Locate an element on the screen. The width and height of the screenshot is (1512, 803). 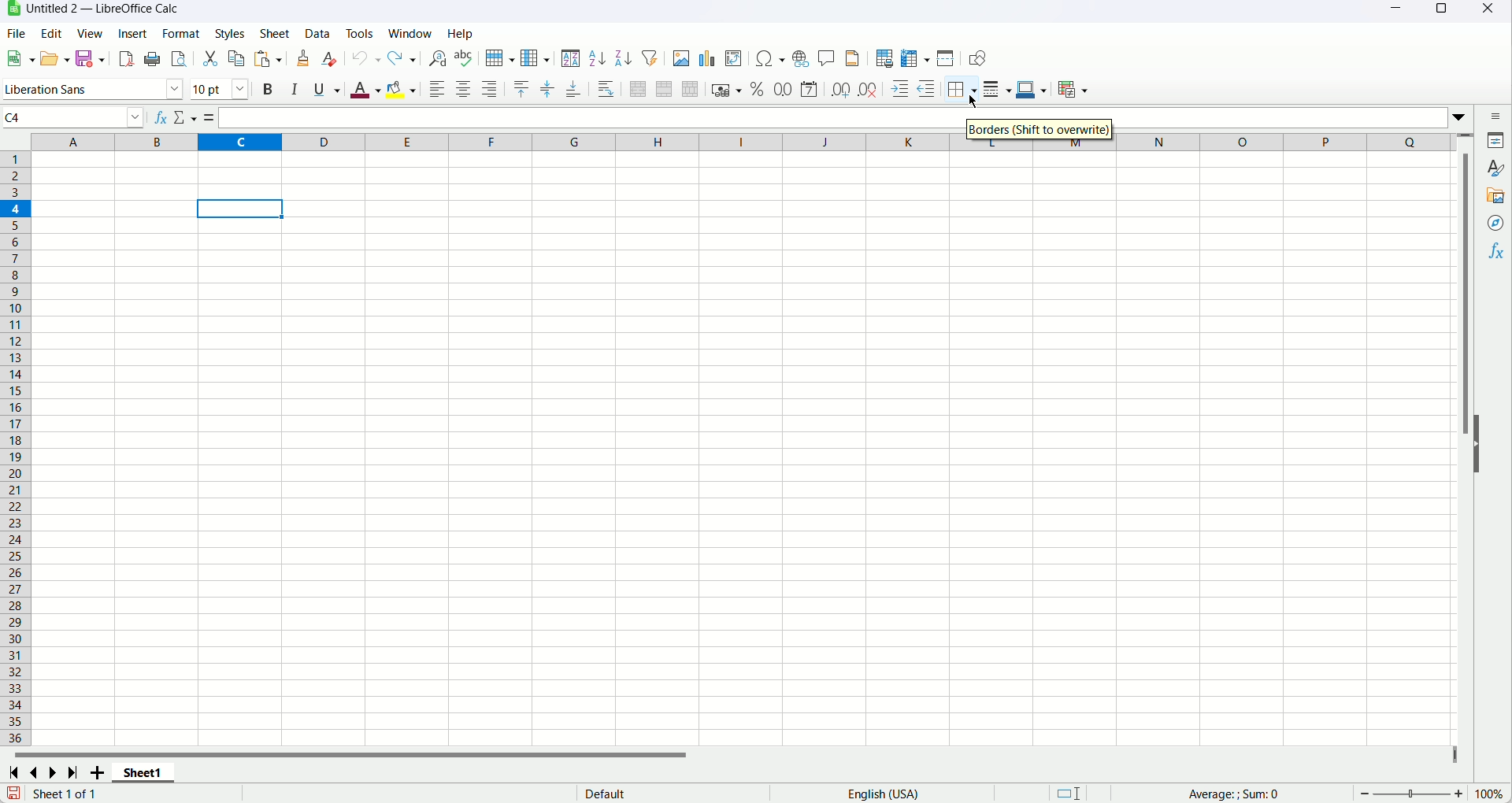
Sheet is located at coordinates (274, 34).